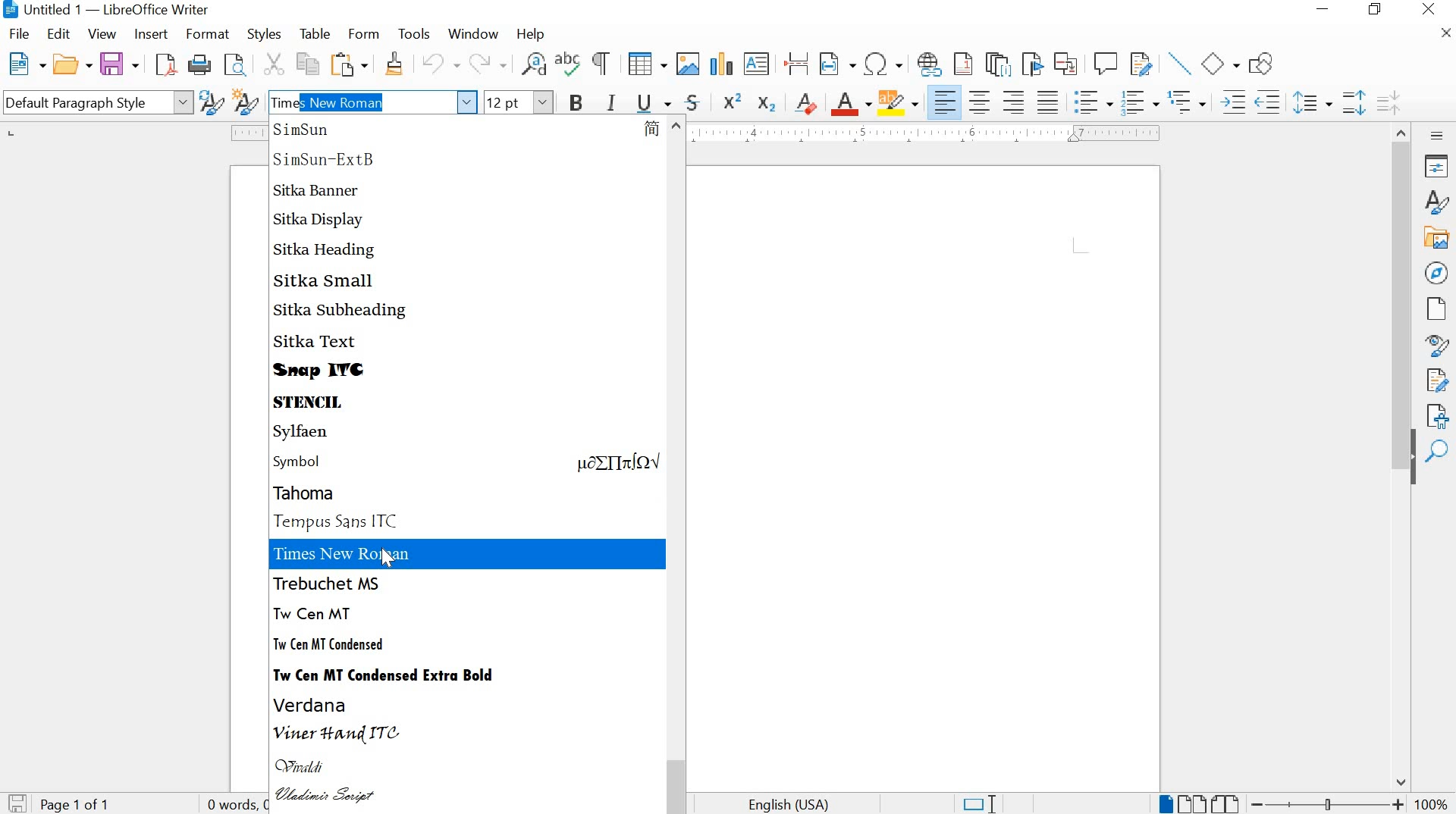 The height and width of the screenshot is (814, 1456). What do you see at coordinates (490, 64) in the screenshot?
I see `REDO` at bounding box center [490, 64].